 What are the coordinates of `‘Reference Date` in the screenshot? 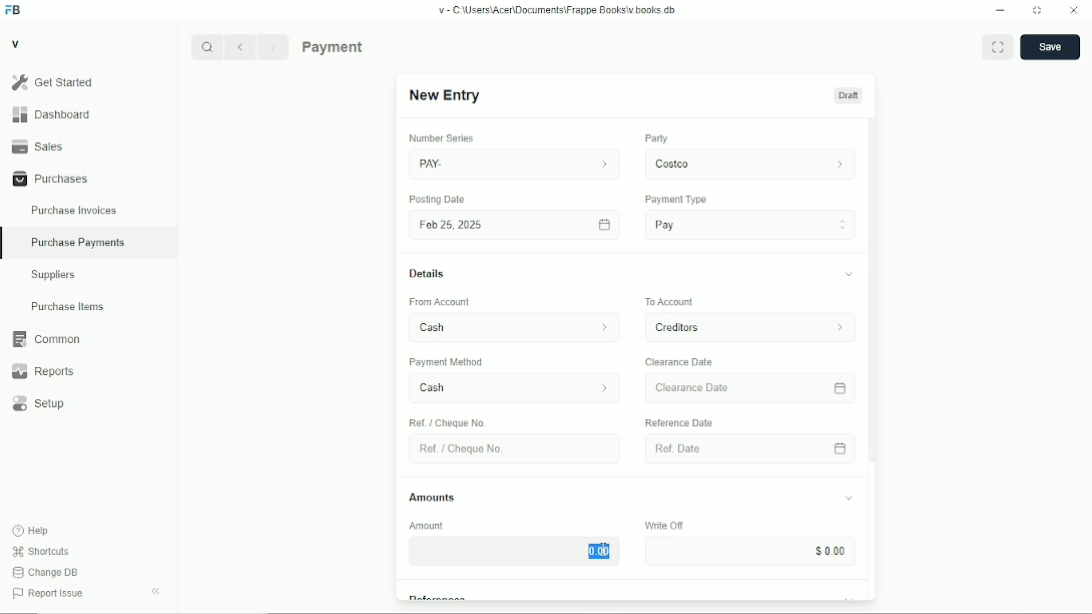 It's located at (682, 422).